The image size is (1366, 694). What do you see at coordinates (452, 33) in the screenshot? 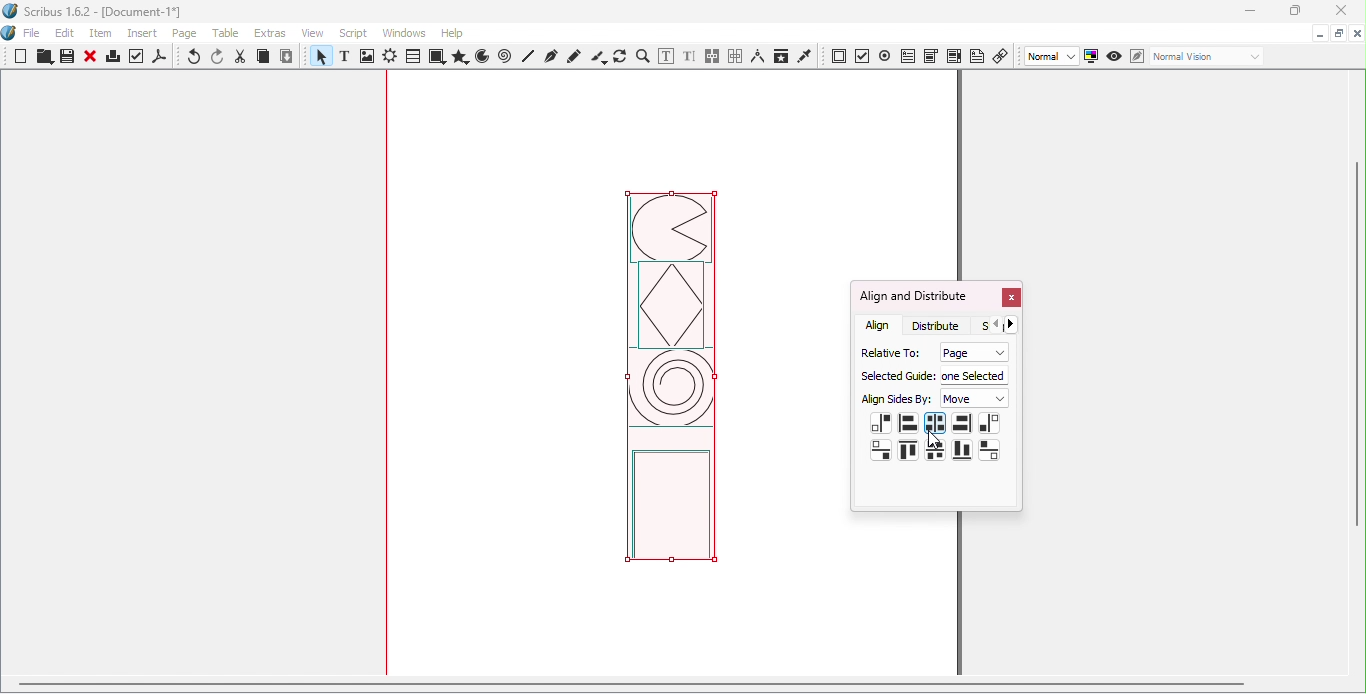
I see `Help` at bounding box center [452, 33].